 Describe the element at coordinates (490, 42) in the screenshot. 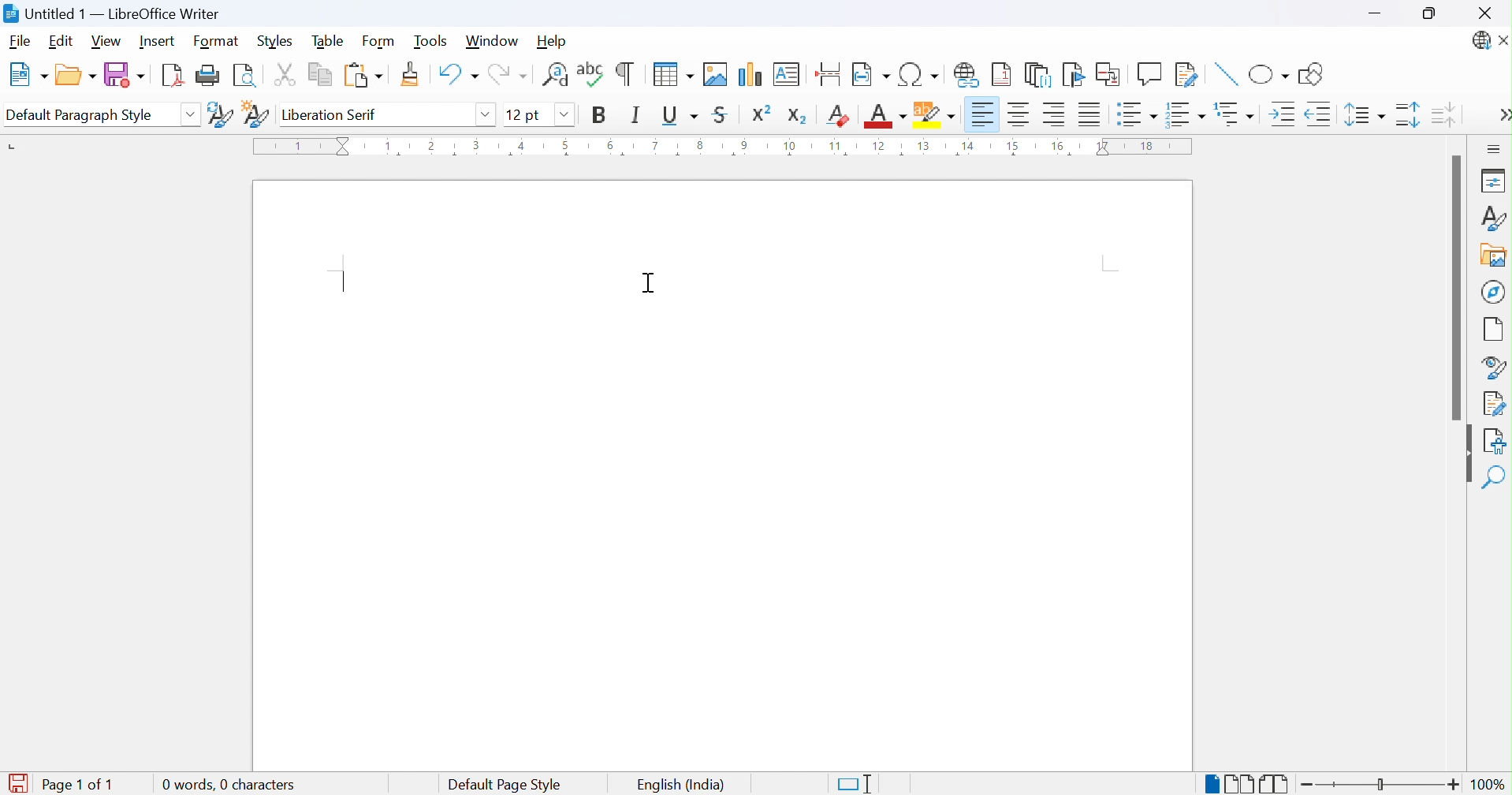

I see `Window` at that location.